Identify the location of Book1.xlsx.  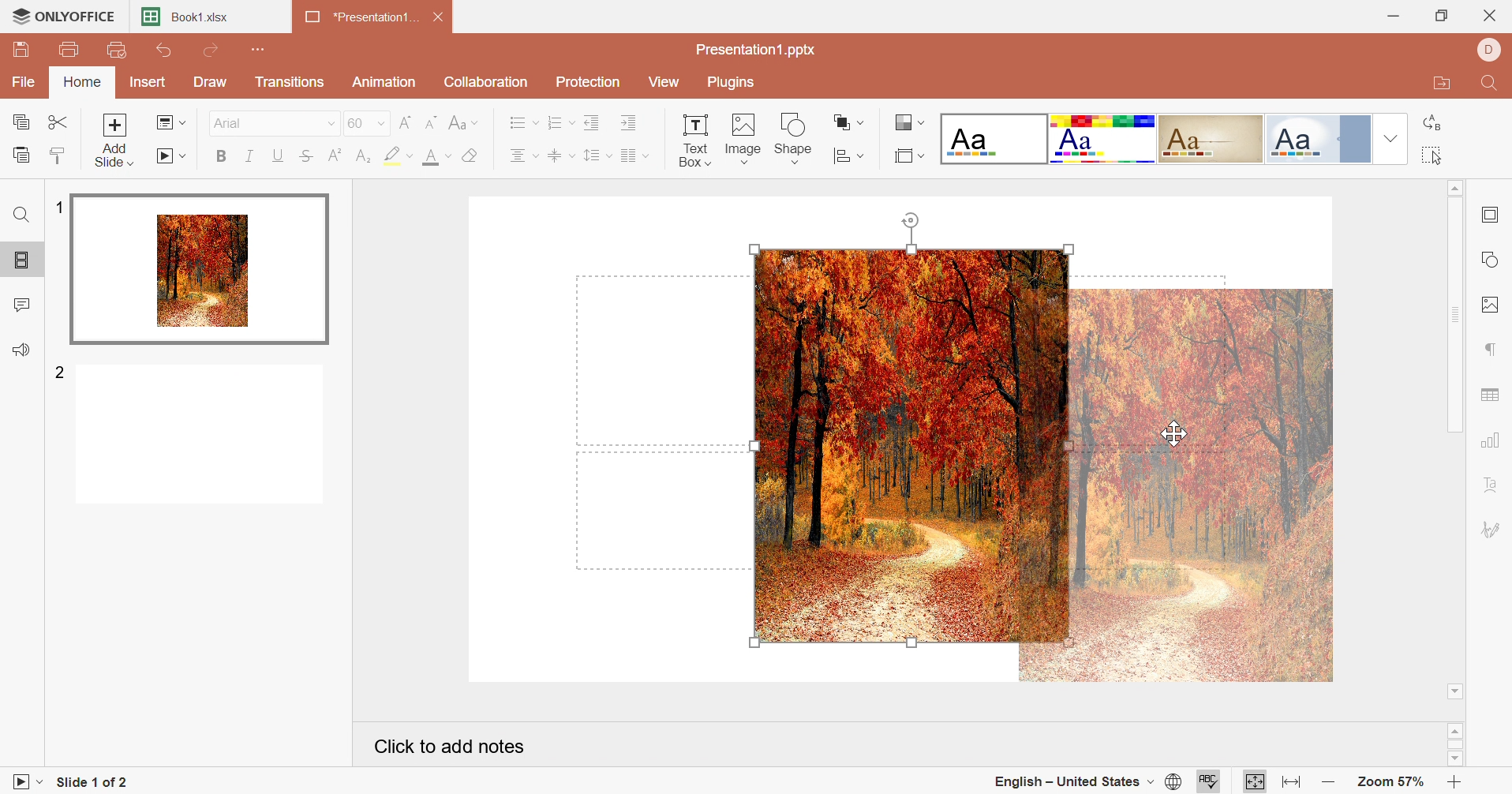
(190, 17).